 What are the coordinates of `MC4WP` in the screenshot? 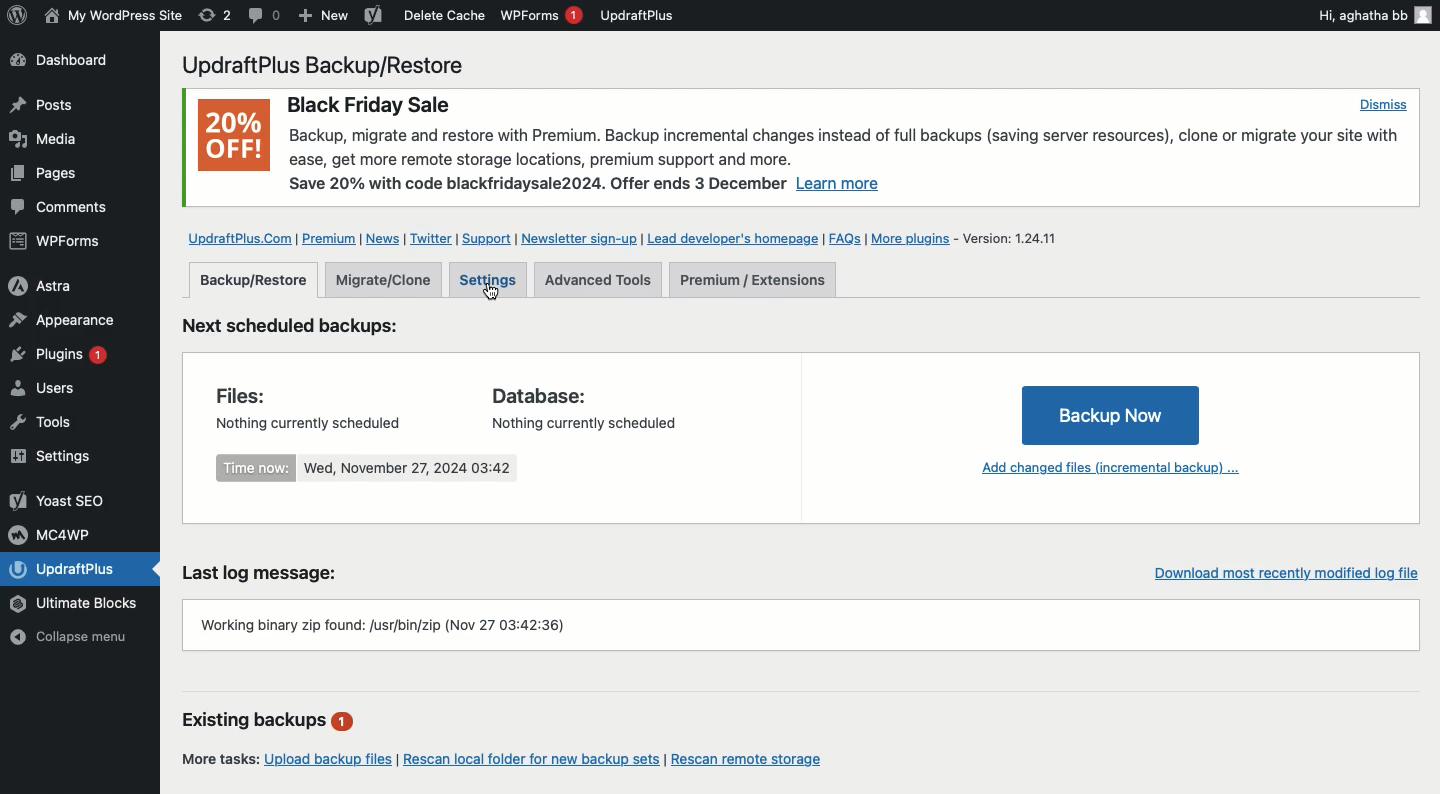 It's located at (55, 533).